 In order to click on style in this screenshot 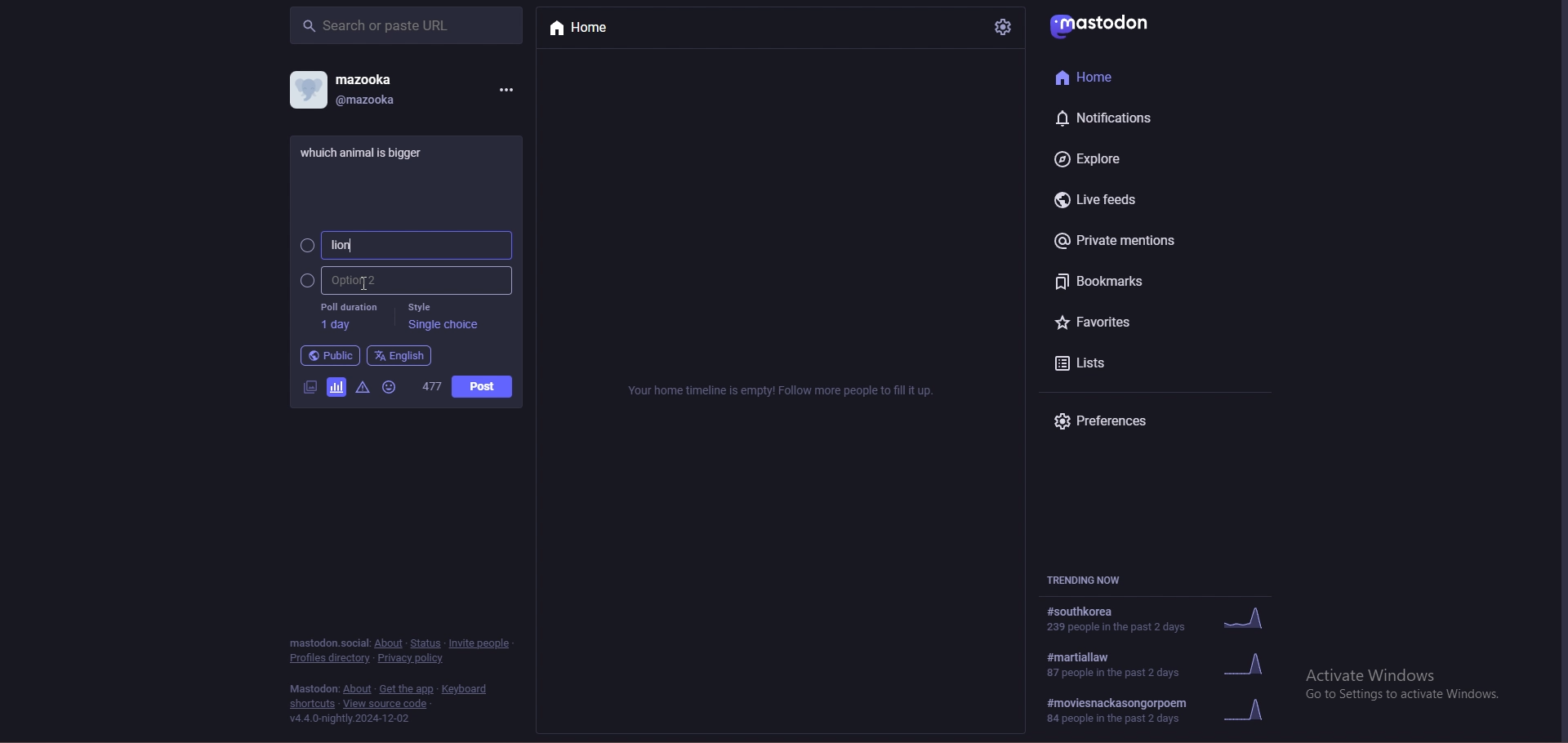, I will do `click(442, 315)`.